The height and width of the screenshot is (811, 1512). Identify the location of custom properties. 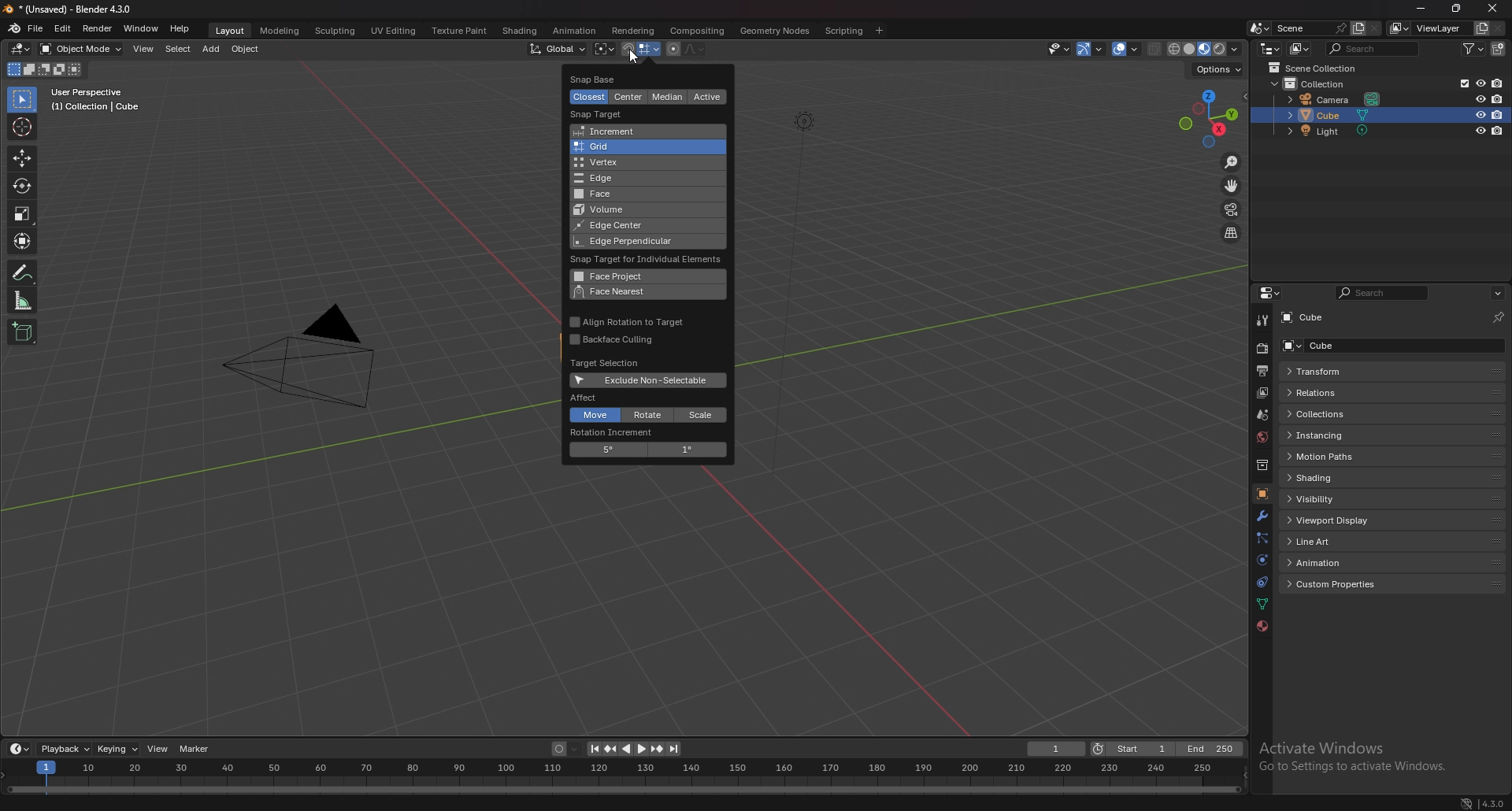
(1338, 584).